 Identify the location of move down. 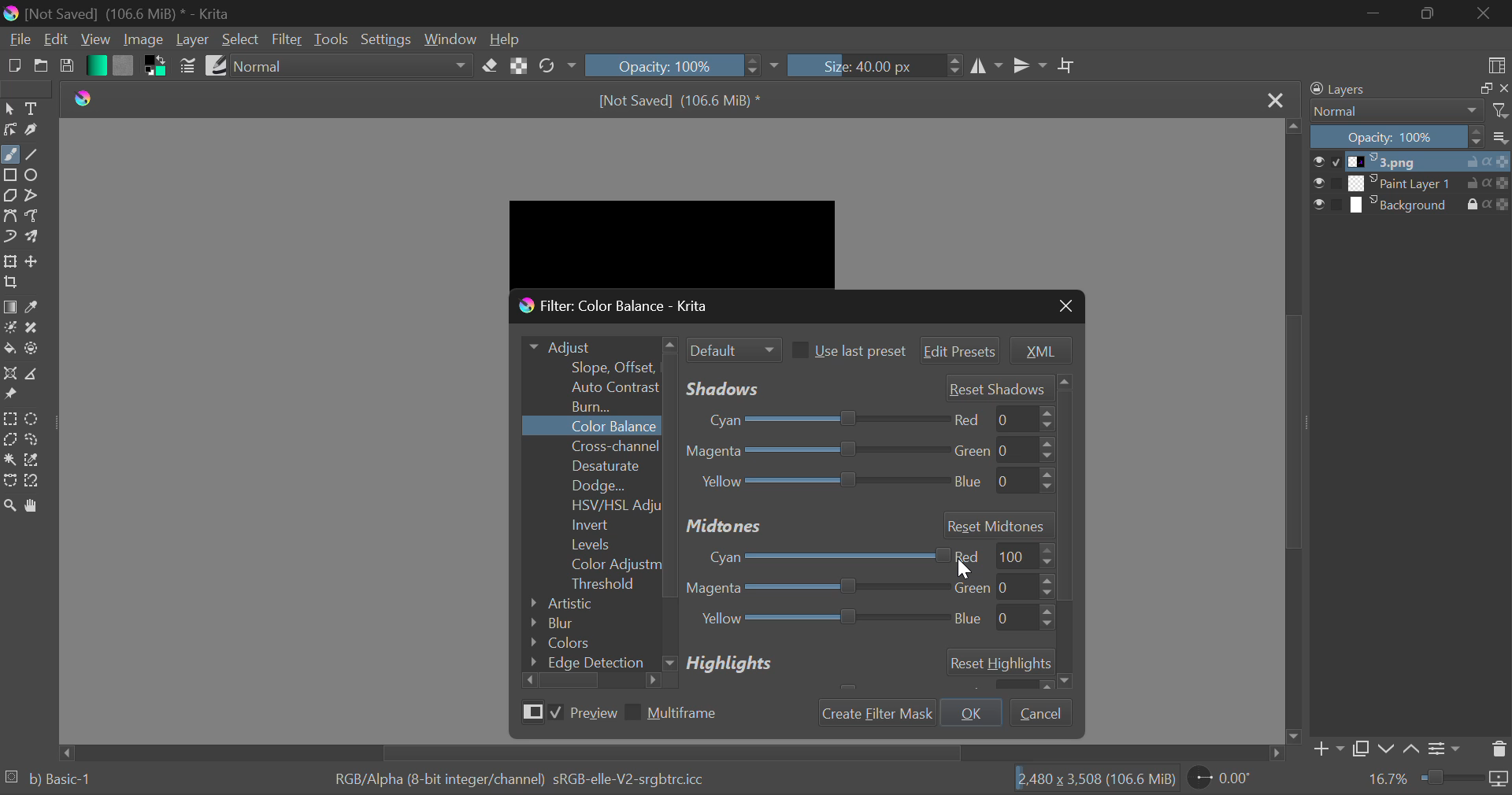
(1293, 735).